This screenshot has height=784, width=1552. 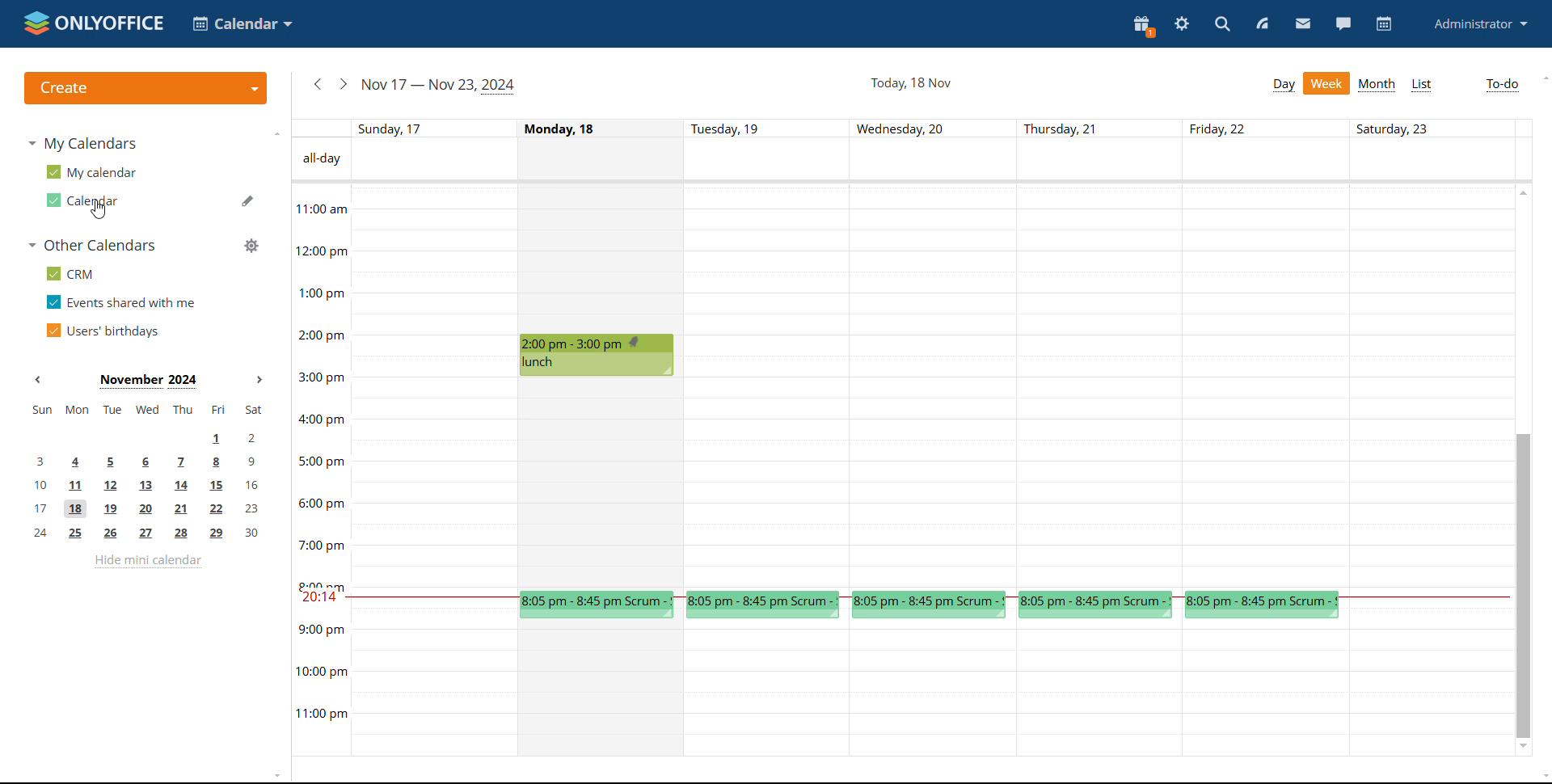 What do you see at coordinates (94, 245) in the screenshot?
I see `other calendars` at bounding box center [94, 245].